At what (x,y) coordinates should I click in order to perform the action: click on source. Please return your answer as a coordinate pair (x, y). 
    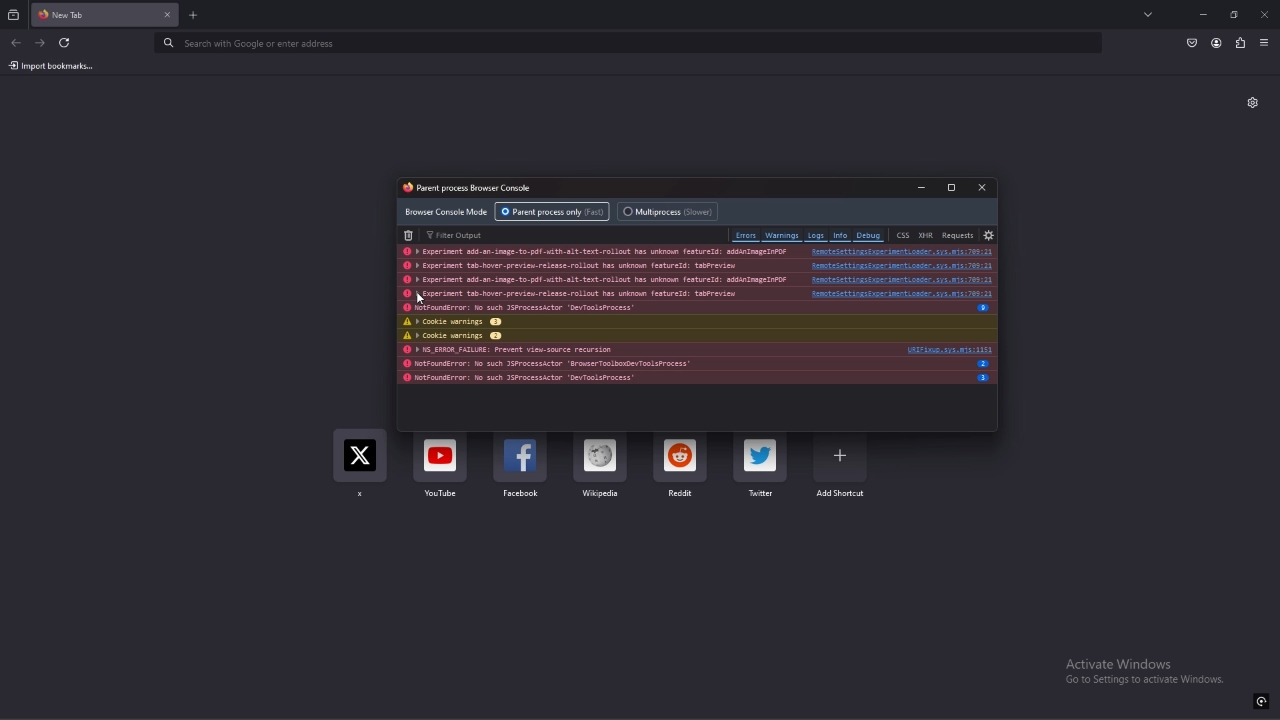
    Looking at the image, I should click on (896, 292).